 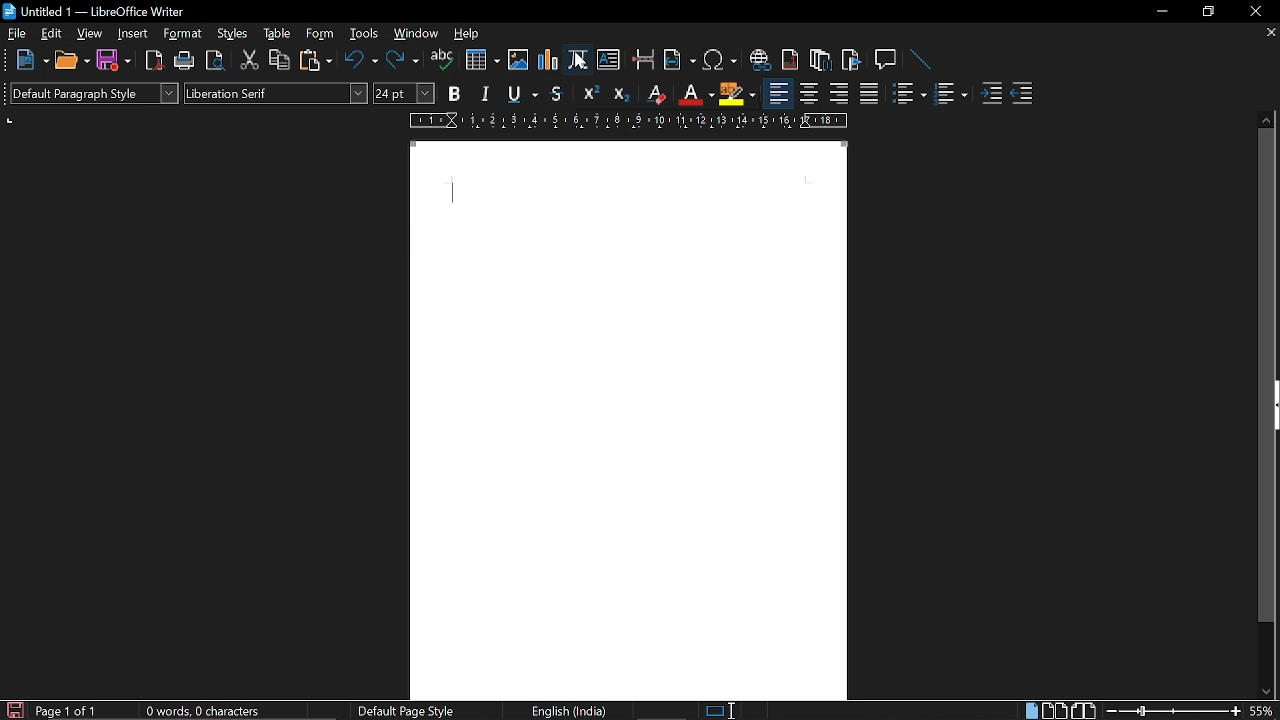 What do you see at coordinates (454, 94) in the screenshot?
I see `bold` at bounding box center [454, 94].